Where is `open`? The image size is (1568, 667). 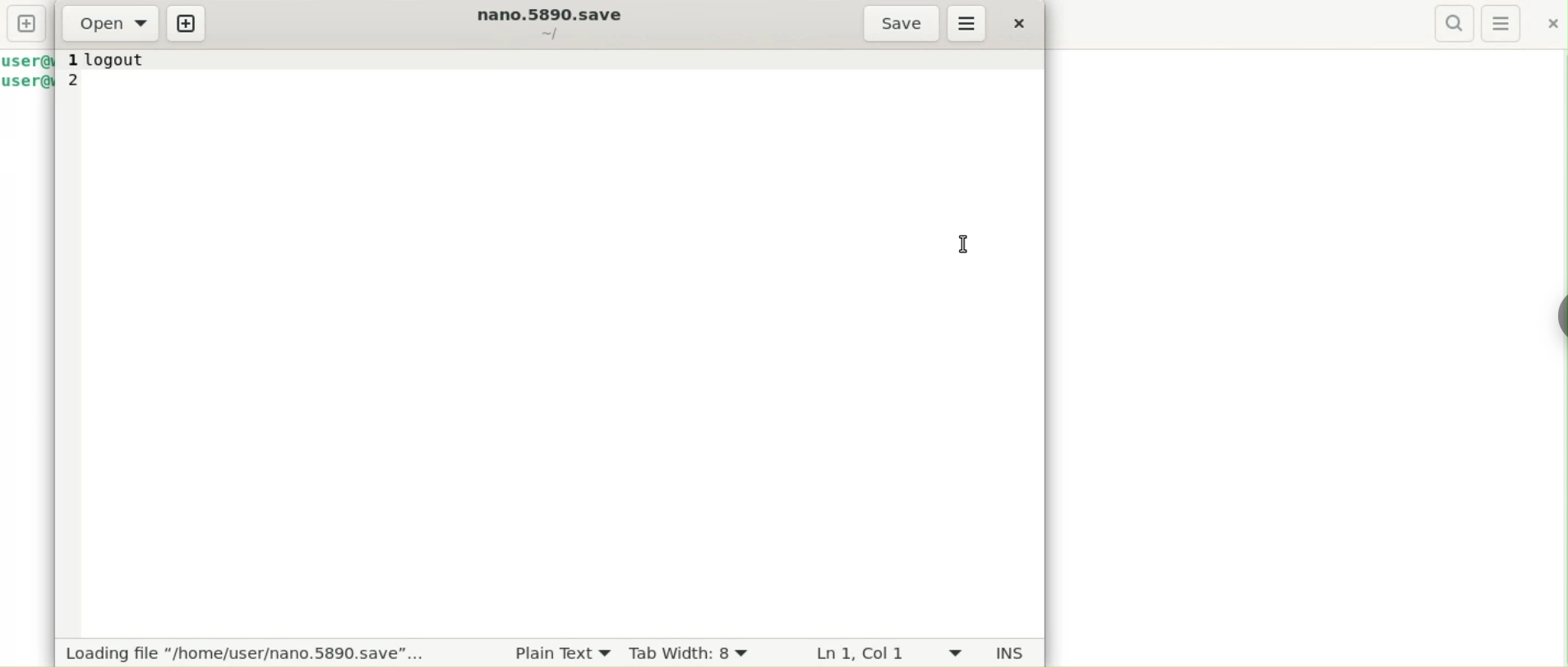
open is located at coordinates (109, 23).